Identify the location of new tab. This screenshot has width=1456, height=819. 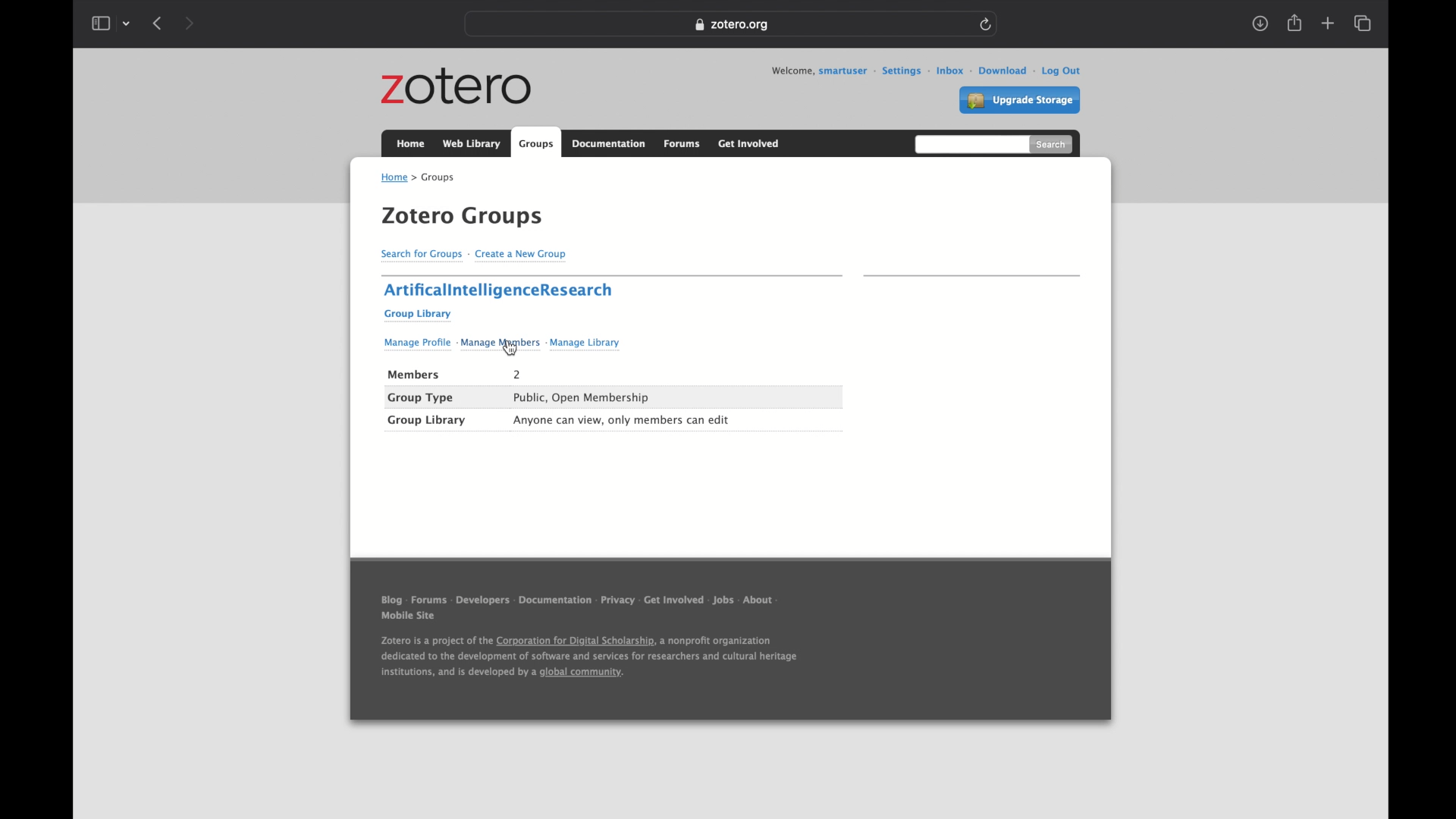
(1328, 23).